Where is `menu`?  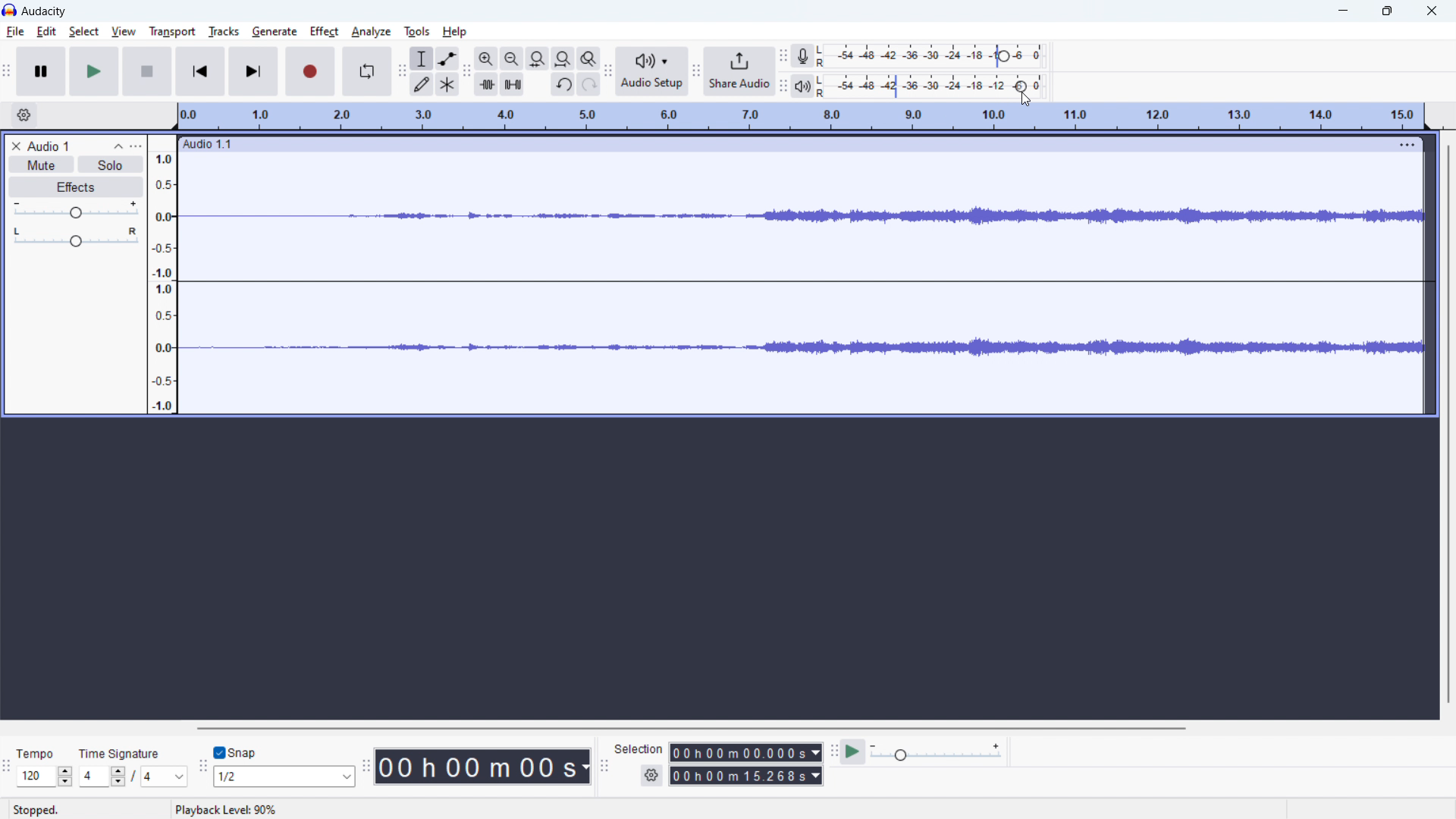 menu is located at coordinates (1408, 143).